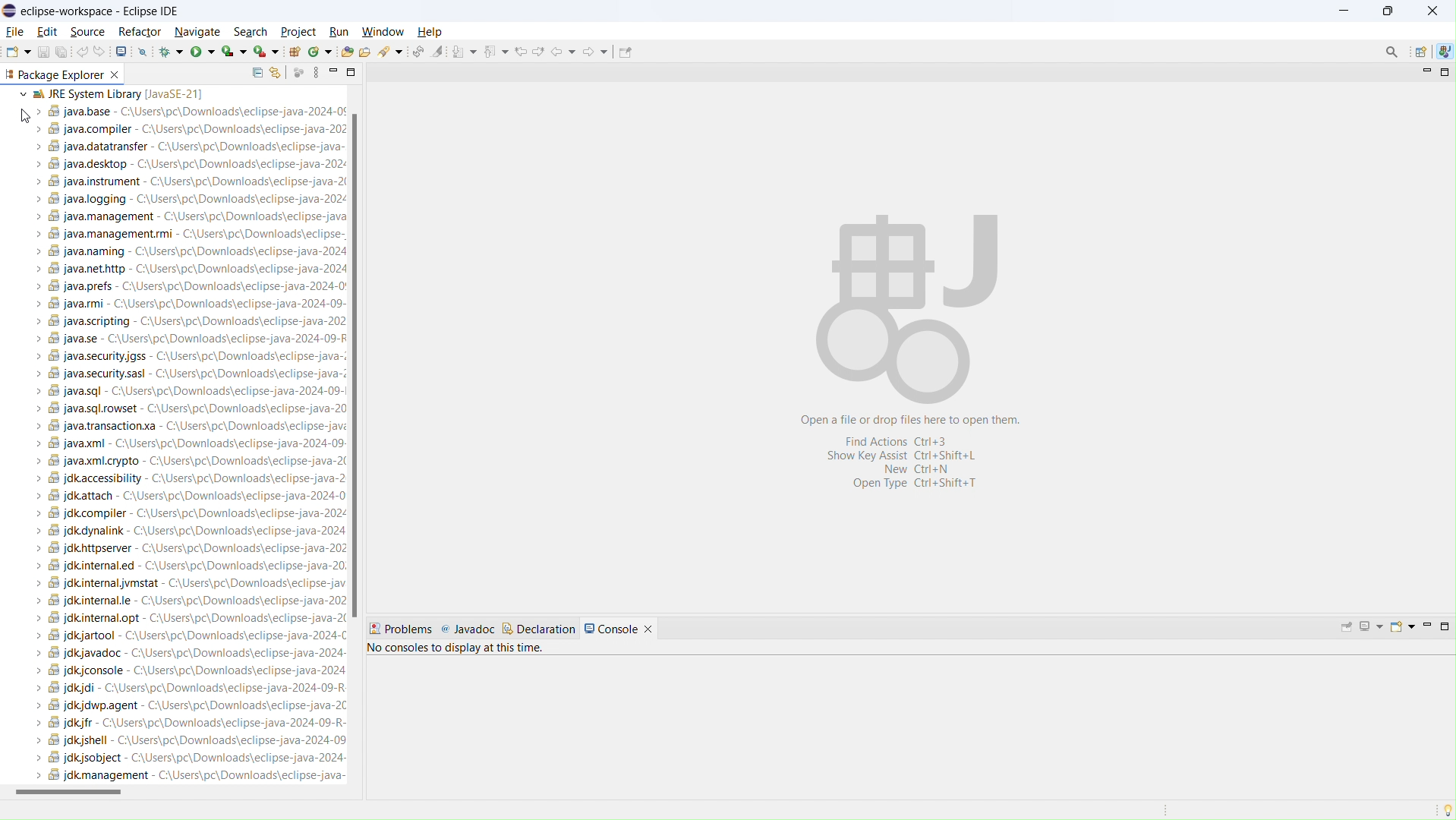 The image size is (1456, 820). I want to click on save, so click(44, 52).